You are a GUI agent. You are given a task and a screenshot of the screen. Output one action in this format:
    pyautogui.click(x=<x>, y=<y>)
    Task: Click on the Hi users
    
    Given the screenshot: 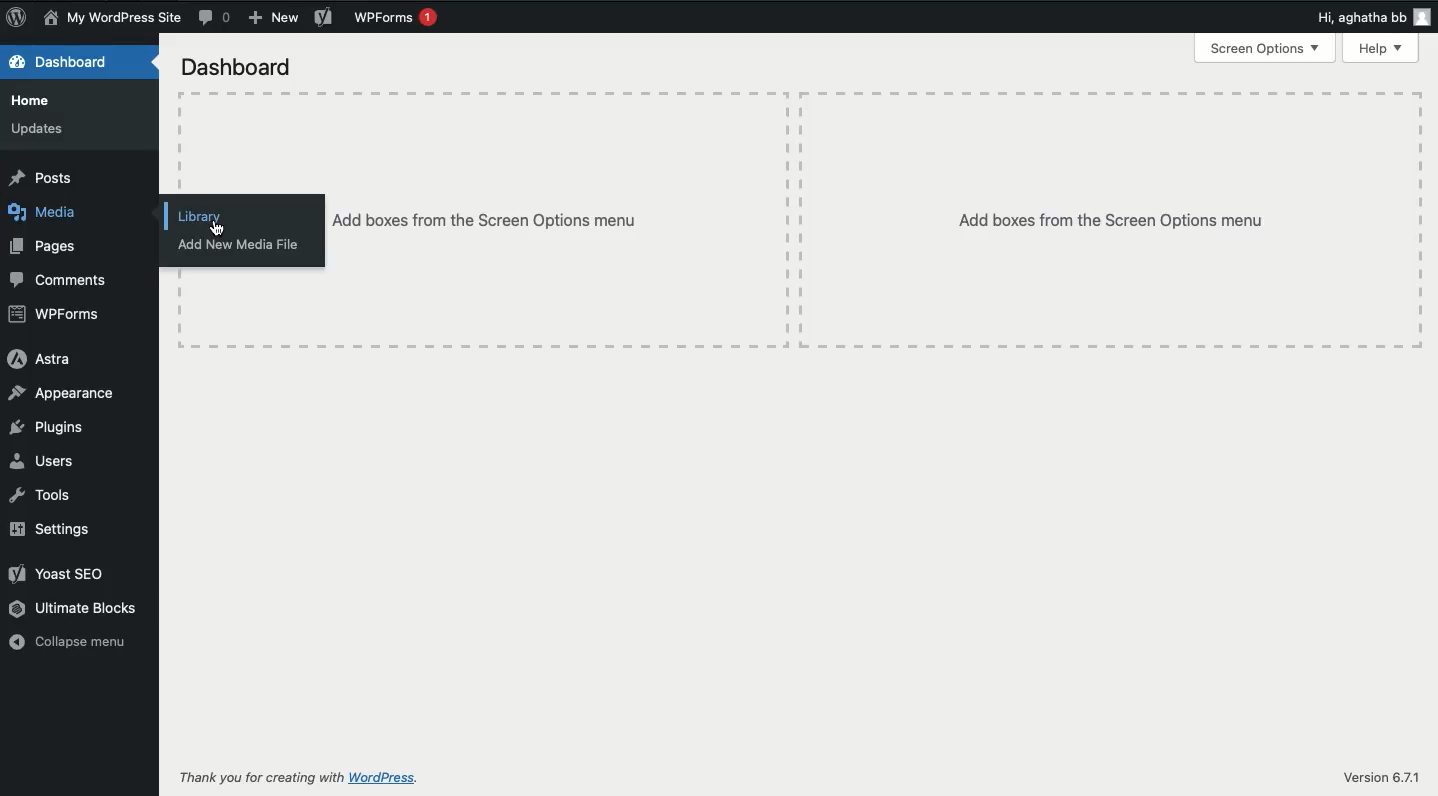 What is the action you would take?
    pyautogui.click(x=1376, y=18)
    